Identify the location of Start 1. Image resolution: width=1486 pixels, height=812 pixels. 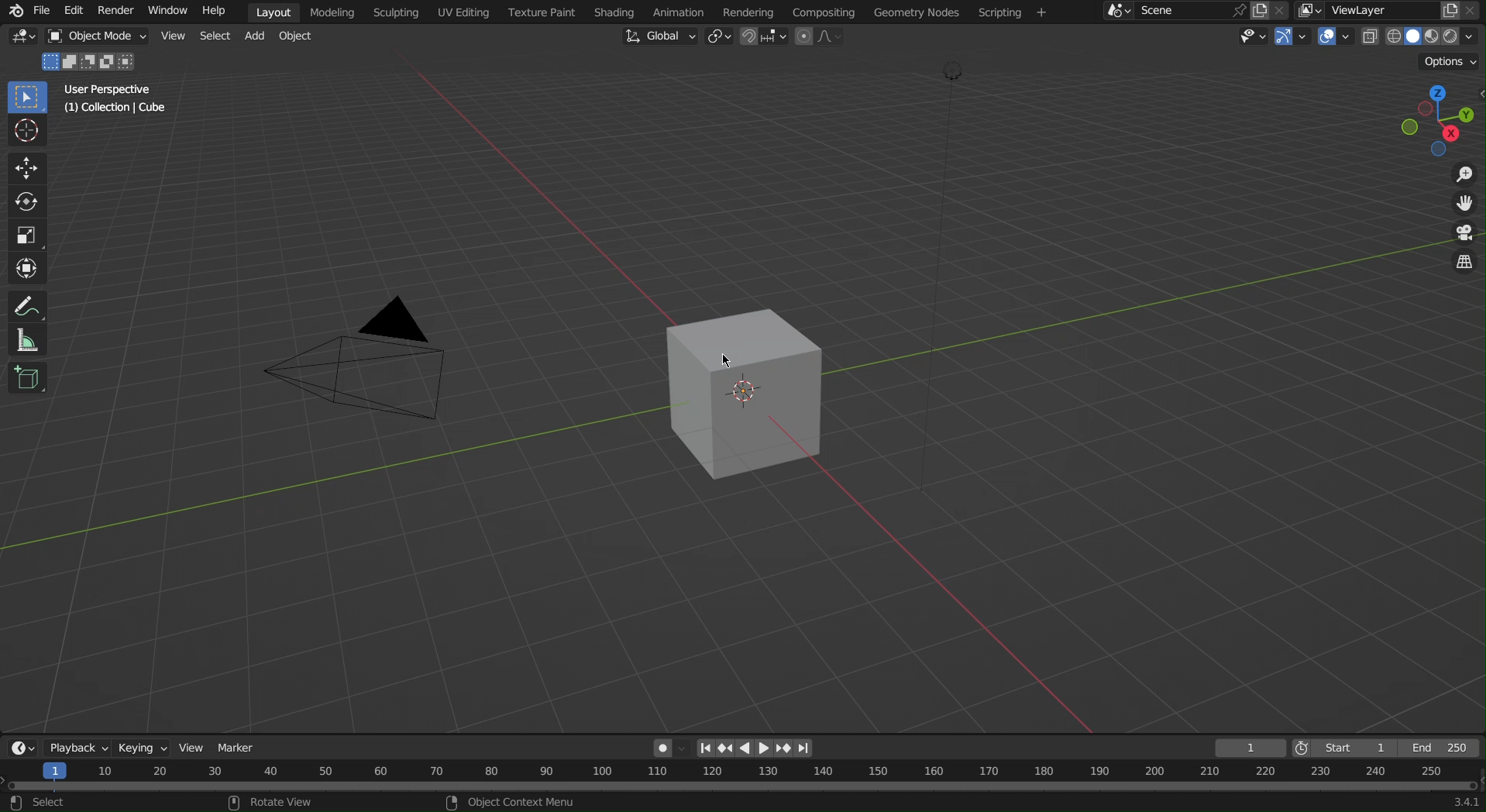
(1343, 746).